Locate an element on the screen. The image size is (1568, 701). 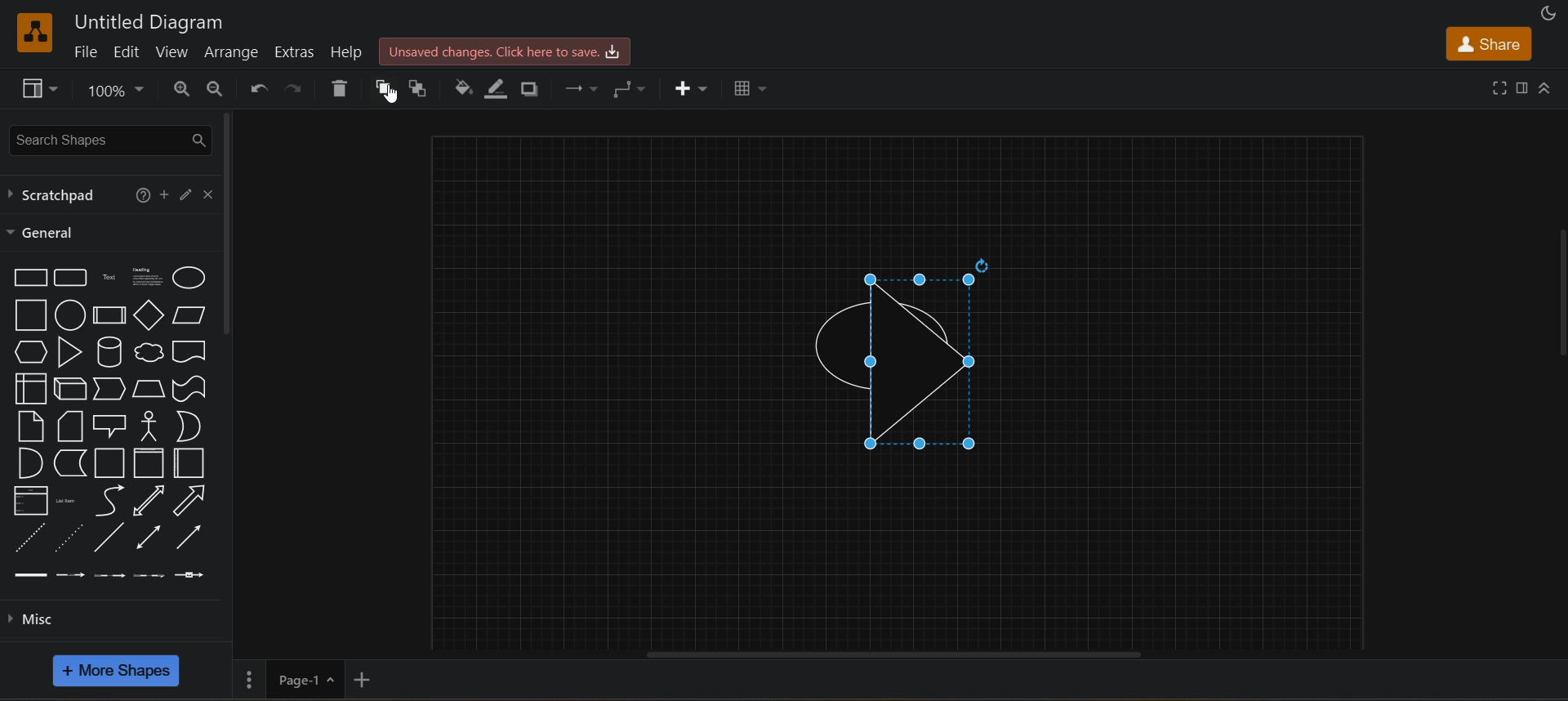
step is located at coordinates (110, 389).